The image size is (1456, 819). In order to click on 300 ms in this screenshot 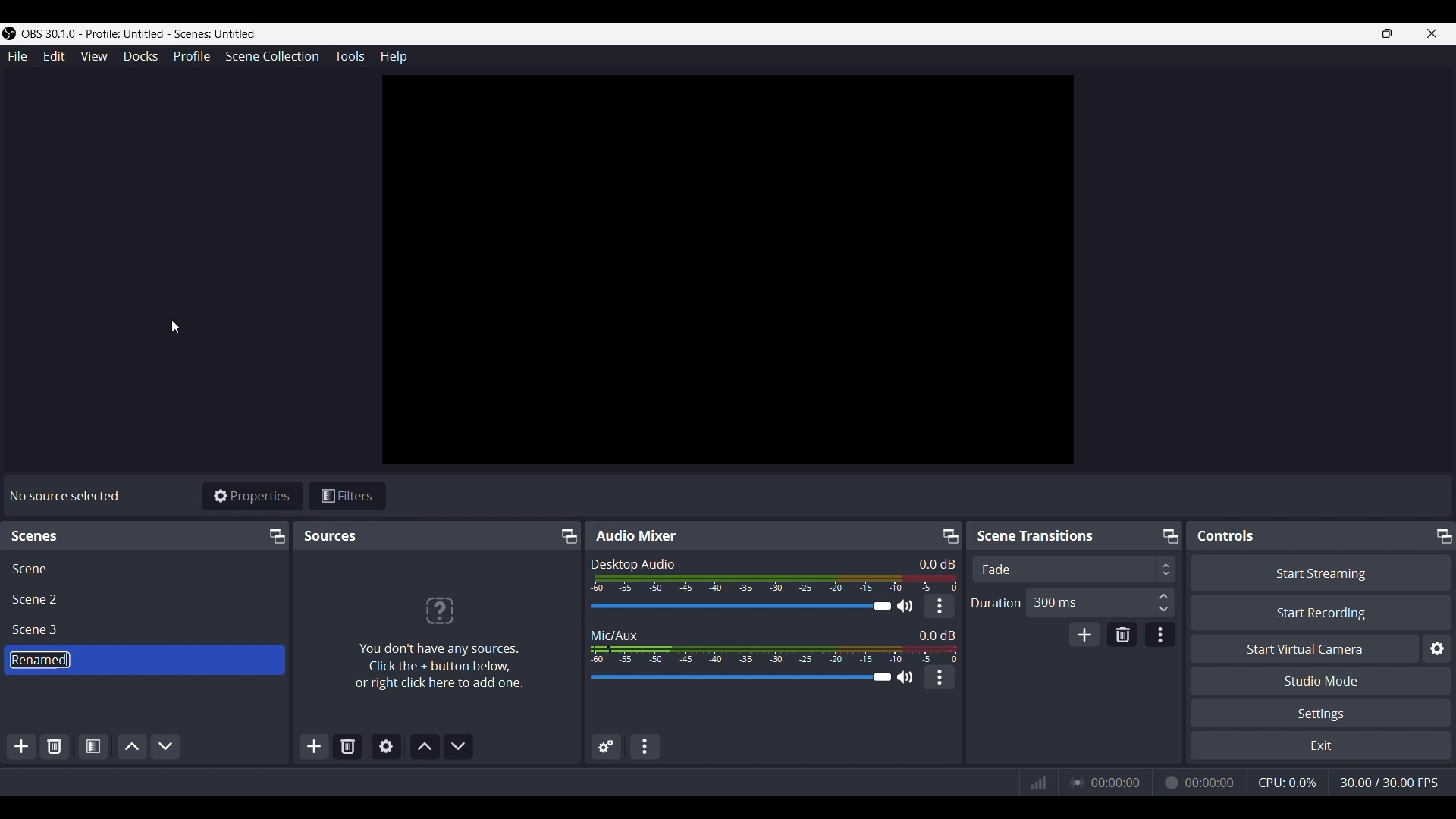, I will do `click(1055, 601)`.